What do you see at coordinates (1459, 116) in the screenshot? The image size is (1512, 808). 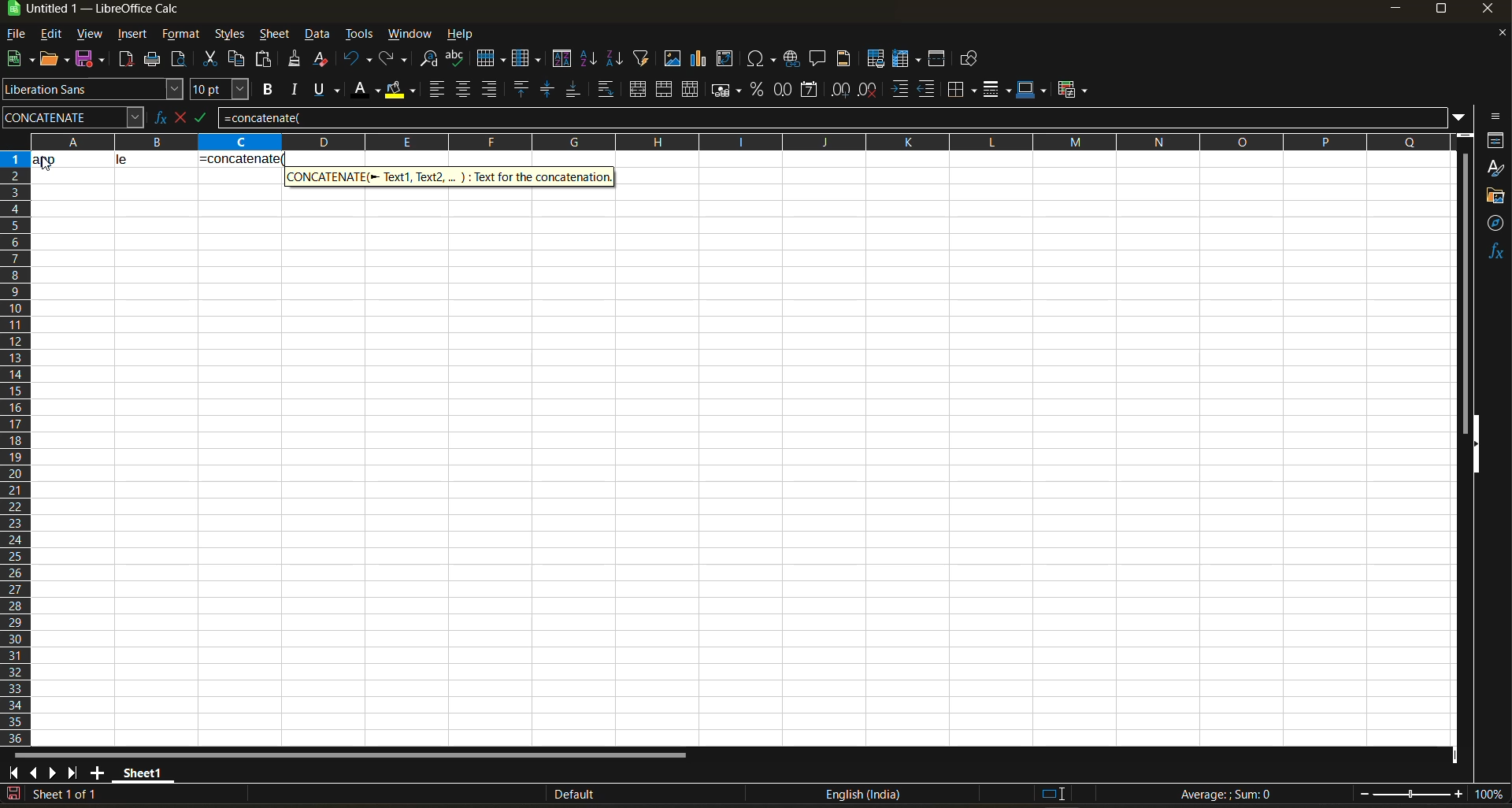 I see `expand formula bar` at bounding box center [1459, 116].